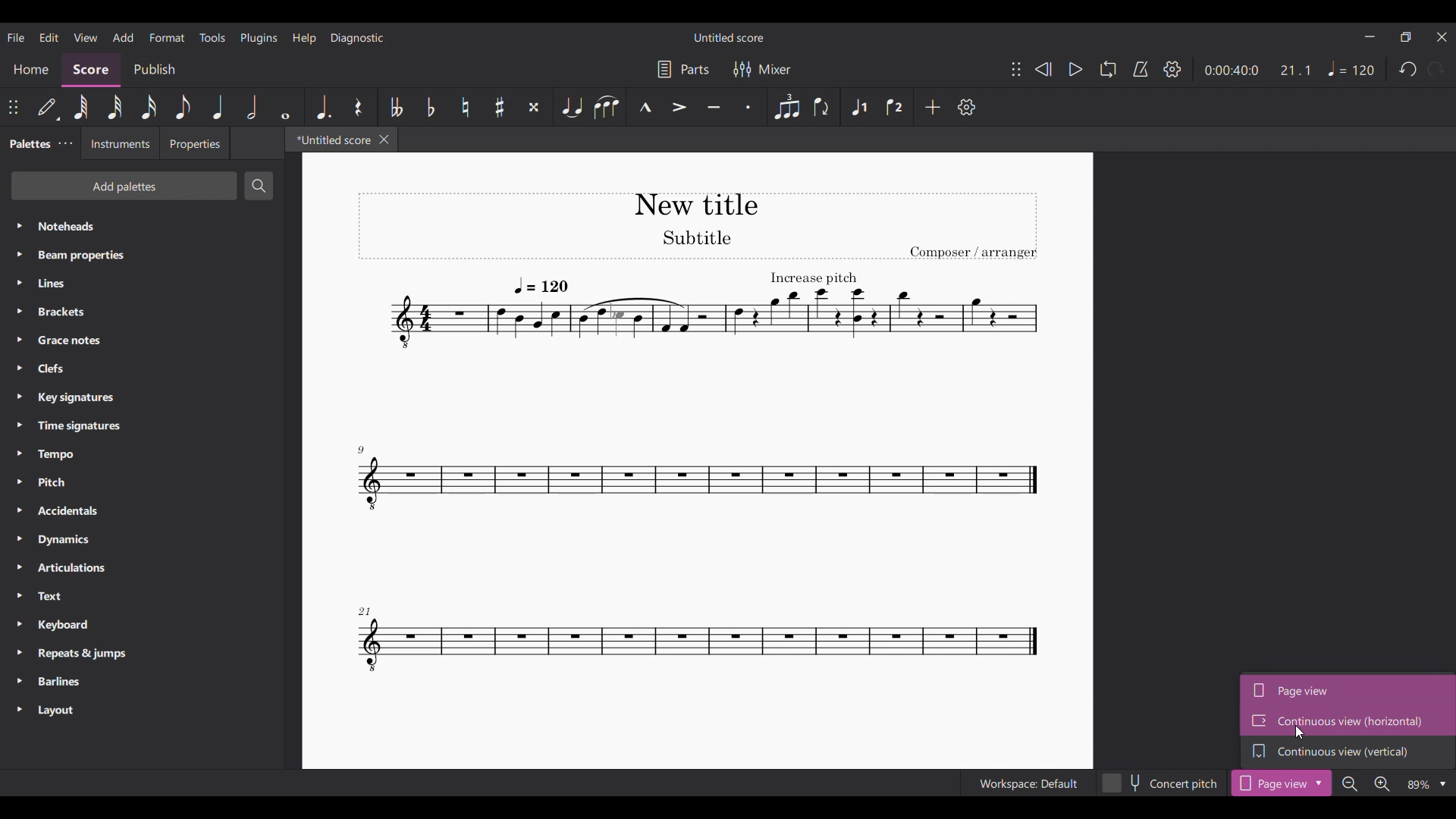 This screenshot has height=819, width=1456. What do you see at coordinates (123, 186) in the screenshot?
I see `Add palettes` at bounding box center [123, 186].